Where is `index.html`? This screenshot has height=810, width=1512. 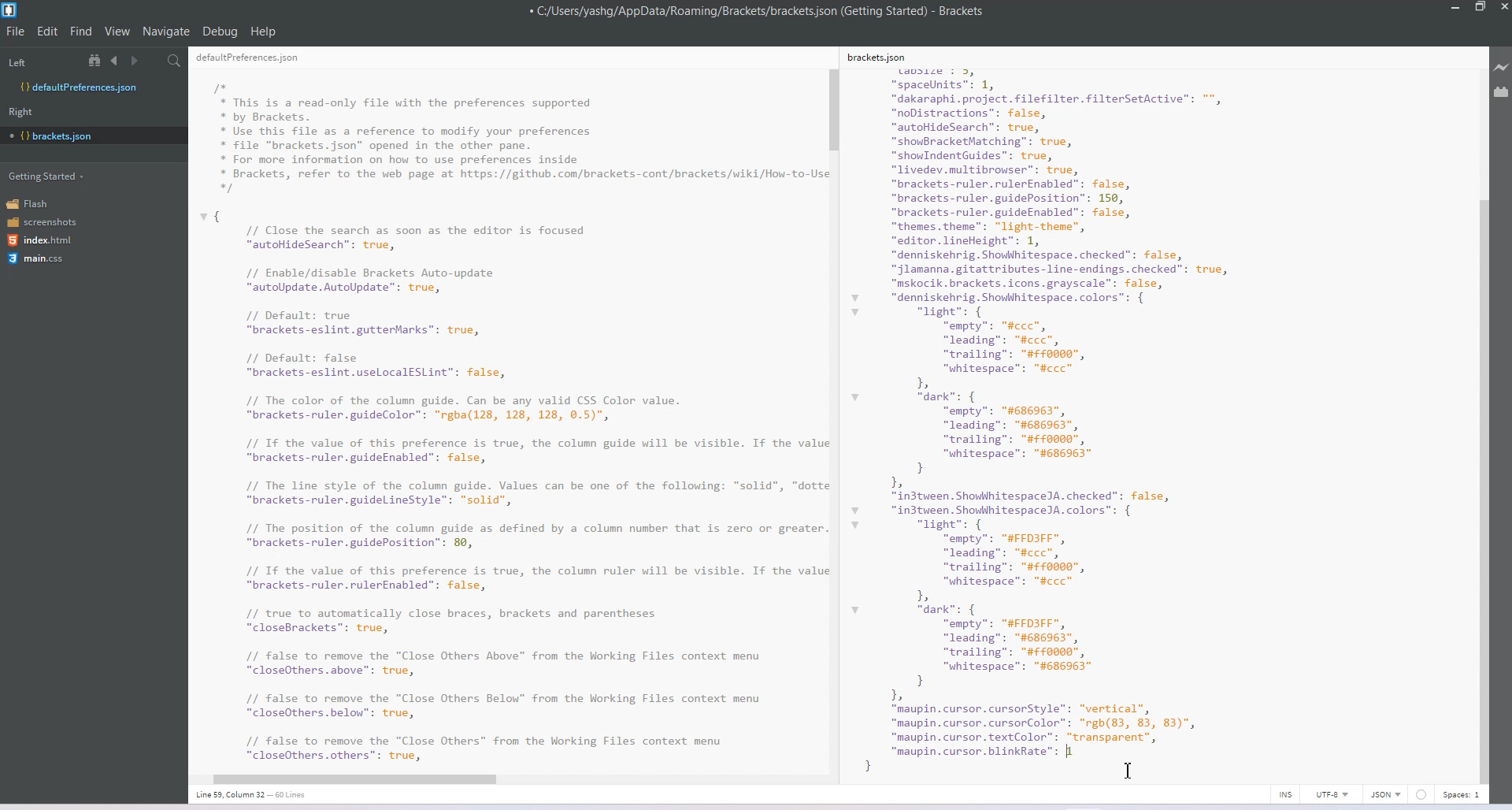 index.html is located at coordinates (45, 240).